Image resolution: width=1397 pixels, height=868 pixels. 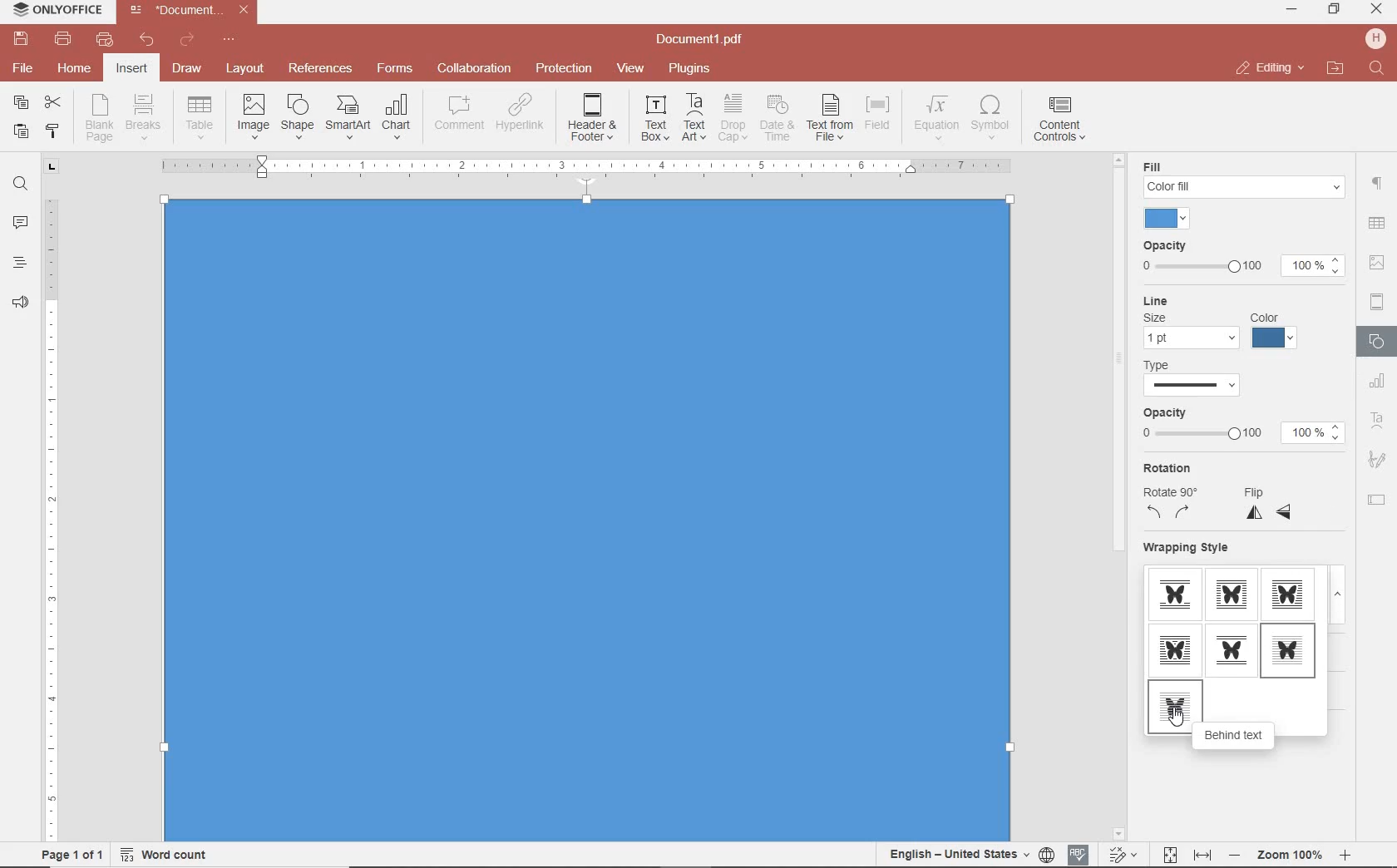 I want to click on fit to page and width, so click(x=1184, y=856).